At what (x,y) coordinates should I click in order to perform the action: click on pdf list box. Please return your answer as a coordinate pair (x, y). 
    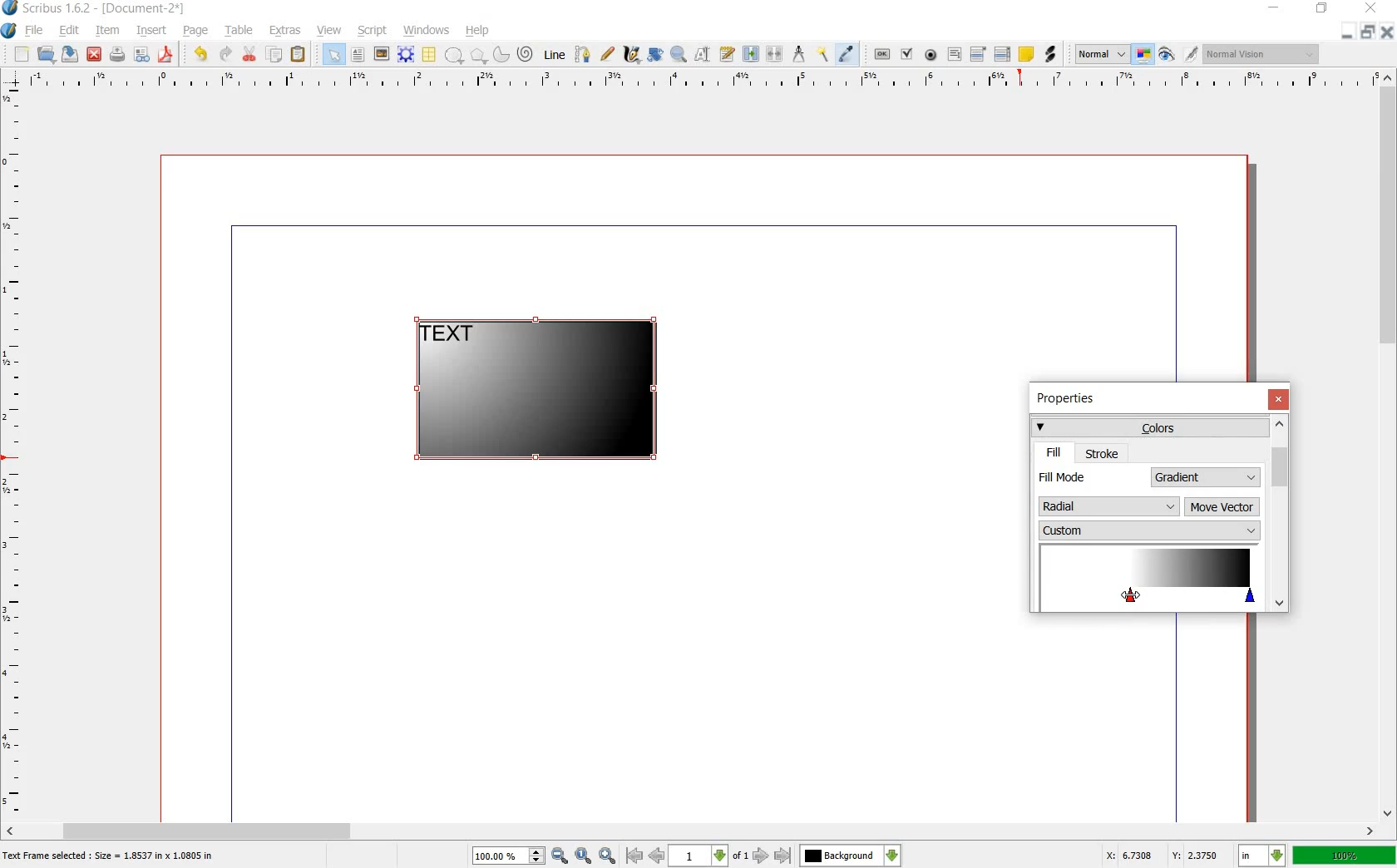
    Looking at the image, I should click on (1002, 53).